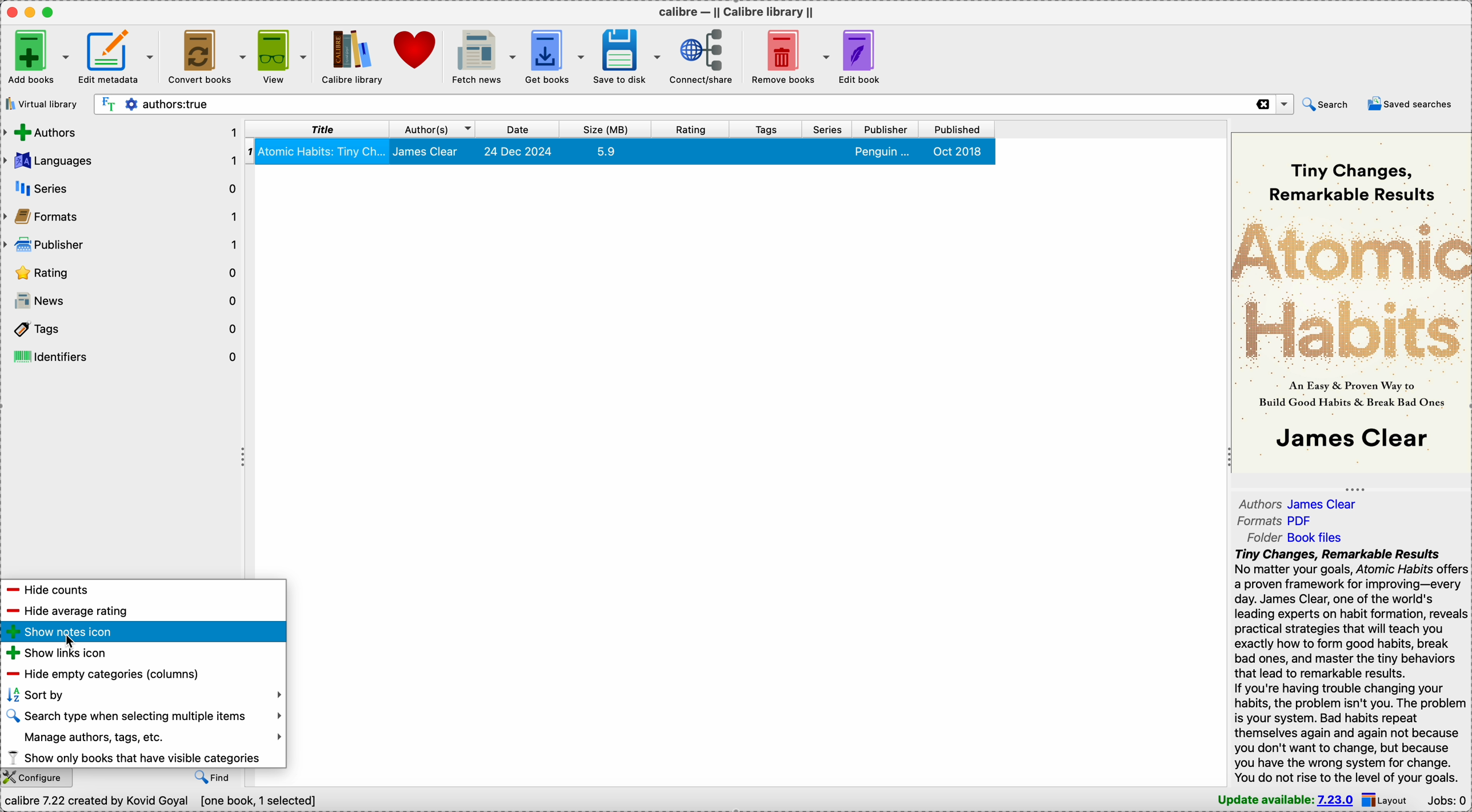 Image resolution: width=1472 pixels, height=812 pixels. What do you see at coordinates (1294, 538) in the screenshot?
I see `folder Book files` at bounding box center [1294, 538].